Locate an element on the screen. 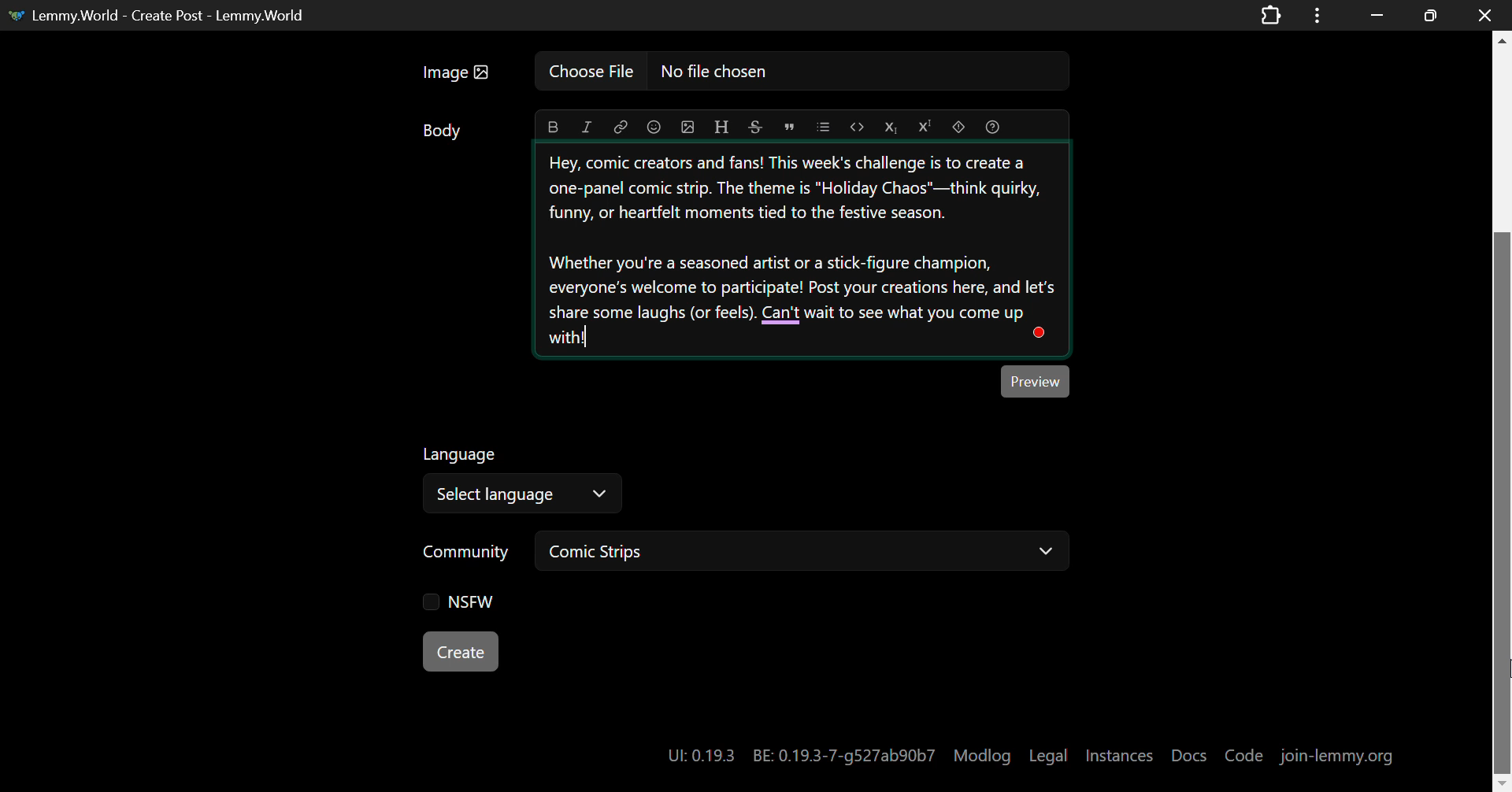 This screenshot has height=792, width=1512. Lemmy.World- Create Post -Lemmy.World is located at coordinates (162, 13).